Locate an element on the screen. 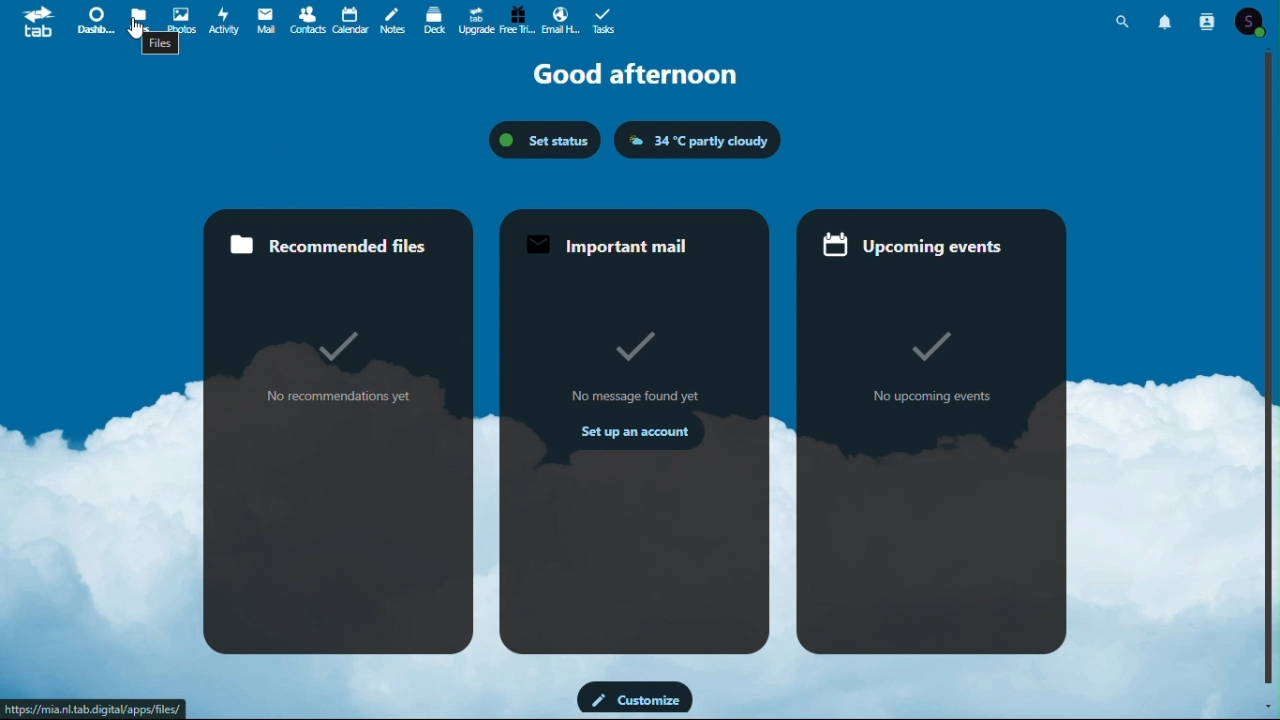 The image size is (1280, 720). Vertical scroll bar is located at coordinates (1272, 367).